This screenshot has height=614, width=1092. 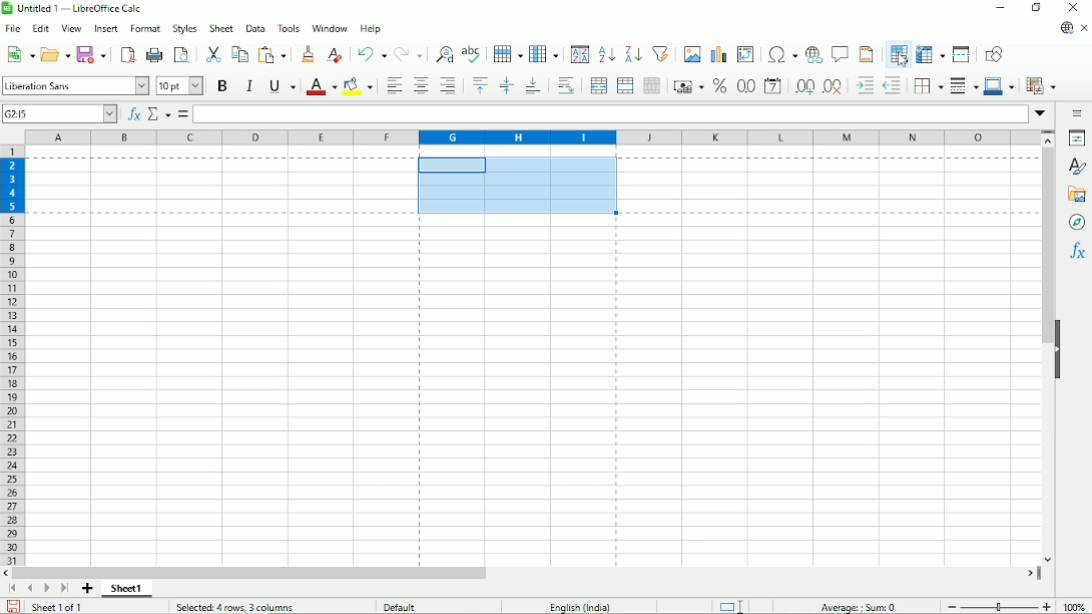 I want to click on Align left, so click(x=394, y=86).